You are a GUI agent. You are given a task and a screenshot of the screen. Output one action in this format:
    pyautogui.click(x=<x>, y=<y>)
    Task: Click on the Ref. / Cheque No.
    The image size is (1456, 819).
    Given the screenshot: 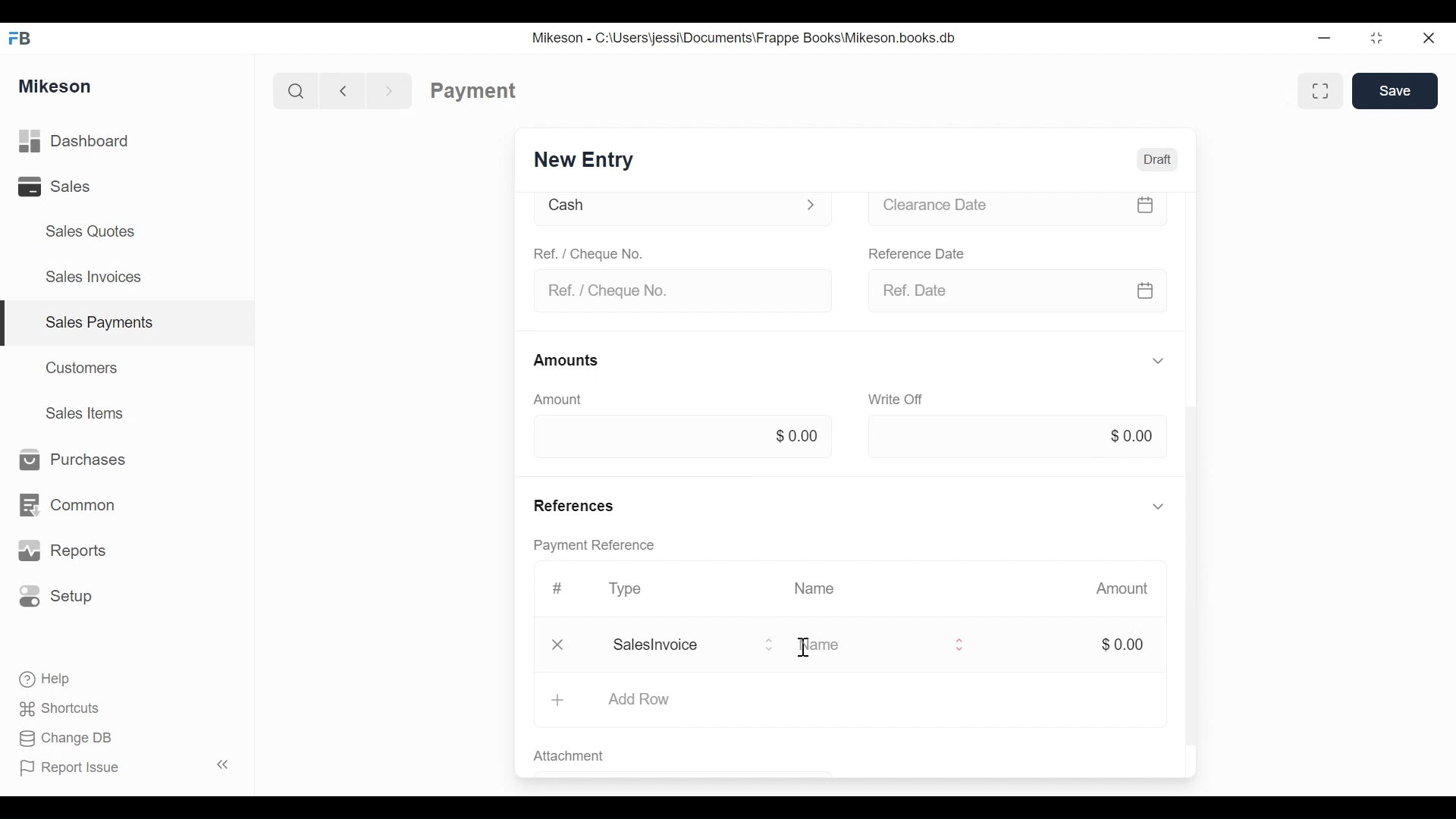 What is the action you would take?
    pyautogui.click(x=594, y=256)
    